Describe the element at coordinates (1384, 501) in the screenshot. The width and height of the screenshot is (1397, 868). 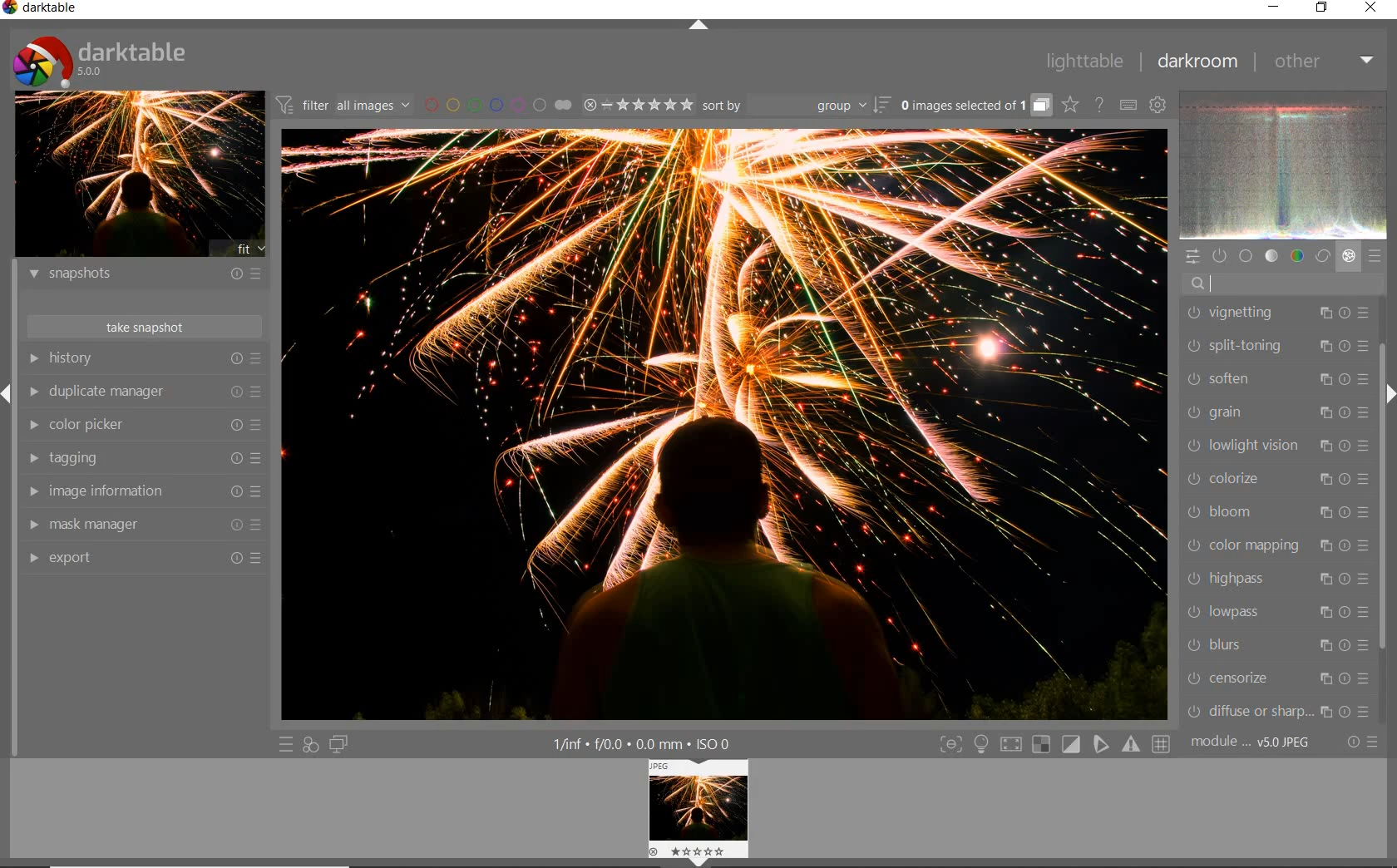
I see `scrollbar` at that location.